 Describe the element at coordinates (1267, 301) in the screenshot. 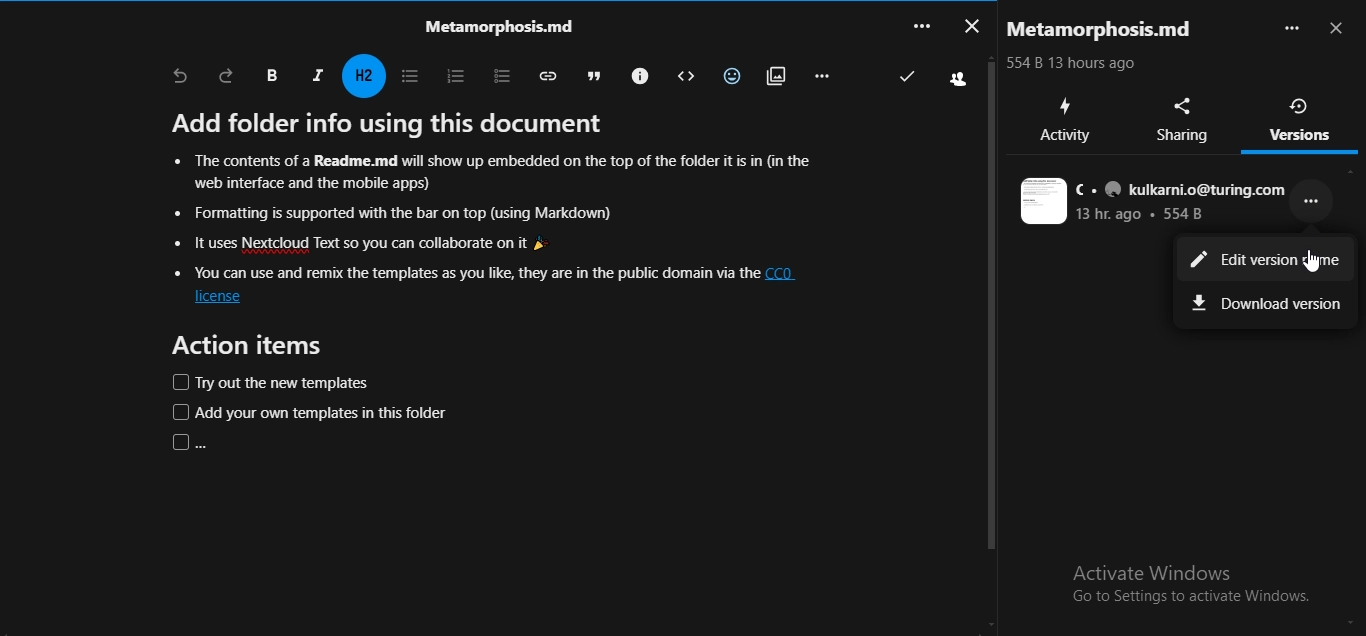

I see `download version` at that location.